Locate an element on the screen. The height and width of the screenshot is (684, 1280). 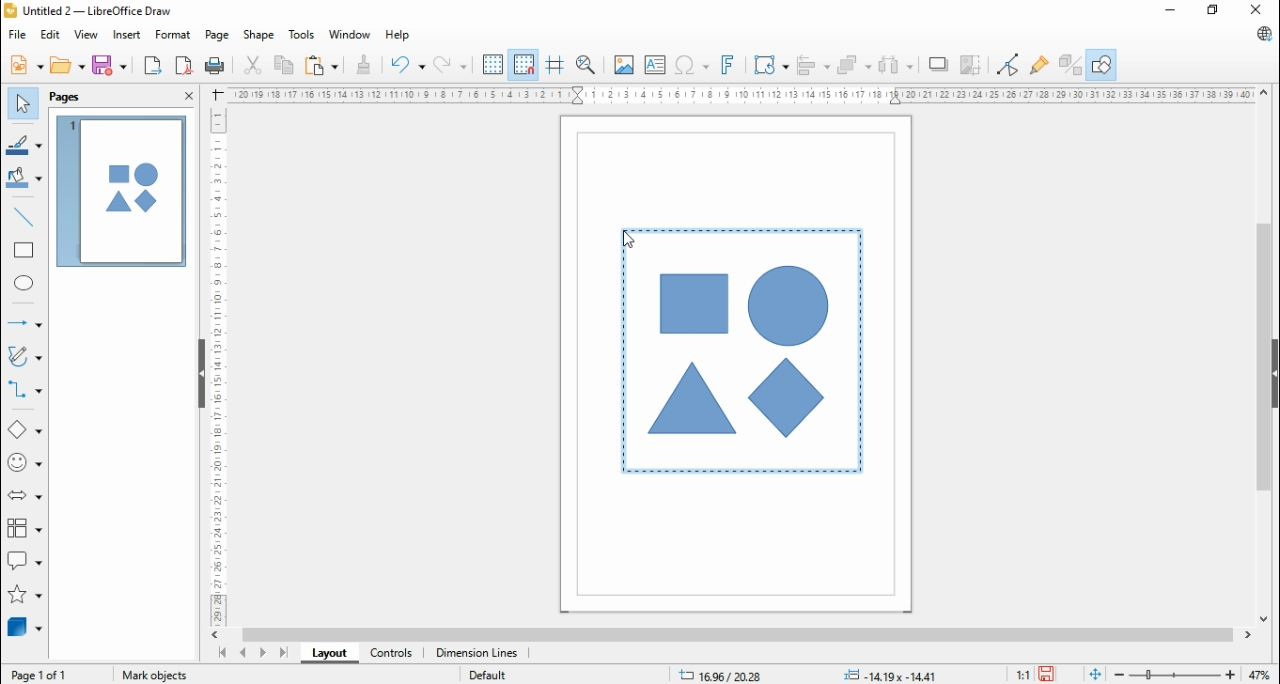
previous page is located at coordinates (243, 652).